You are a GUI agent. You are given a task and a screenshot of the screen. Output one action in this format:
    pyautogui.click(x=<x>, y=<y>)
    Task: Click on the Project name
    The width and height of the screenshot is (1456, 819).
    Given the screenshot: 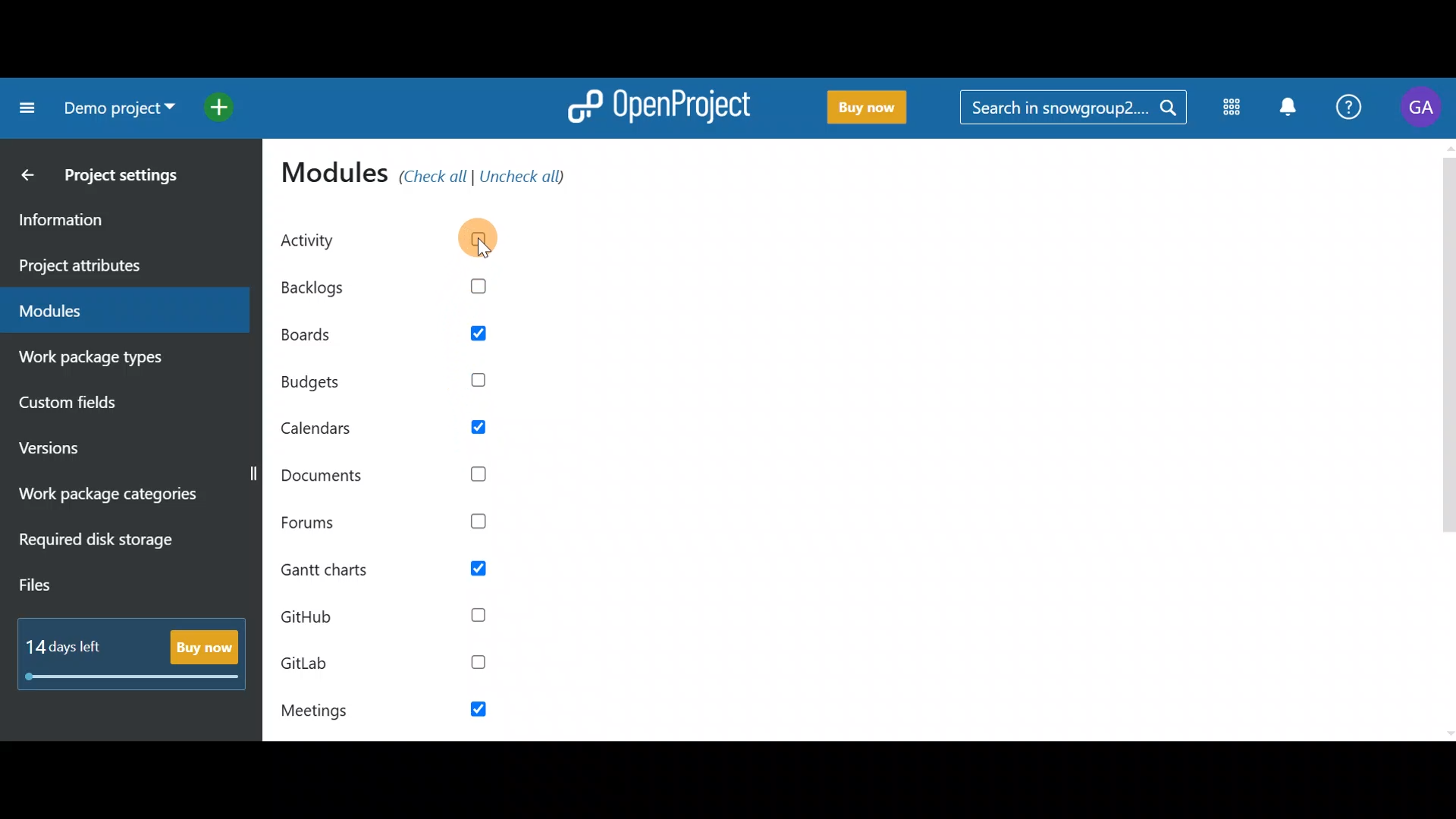 What is the action you would take?
    pyautogui.click(x=115, y=108)
    